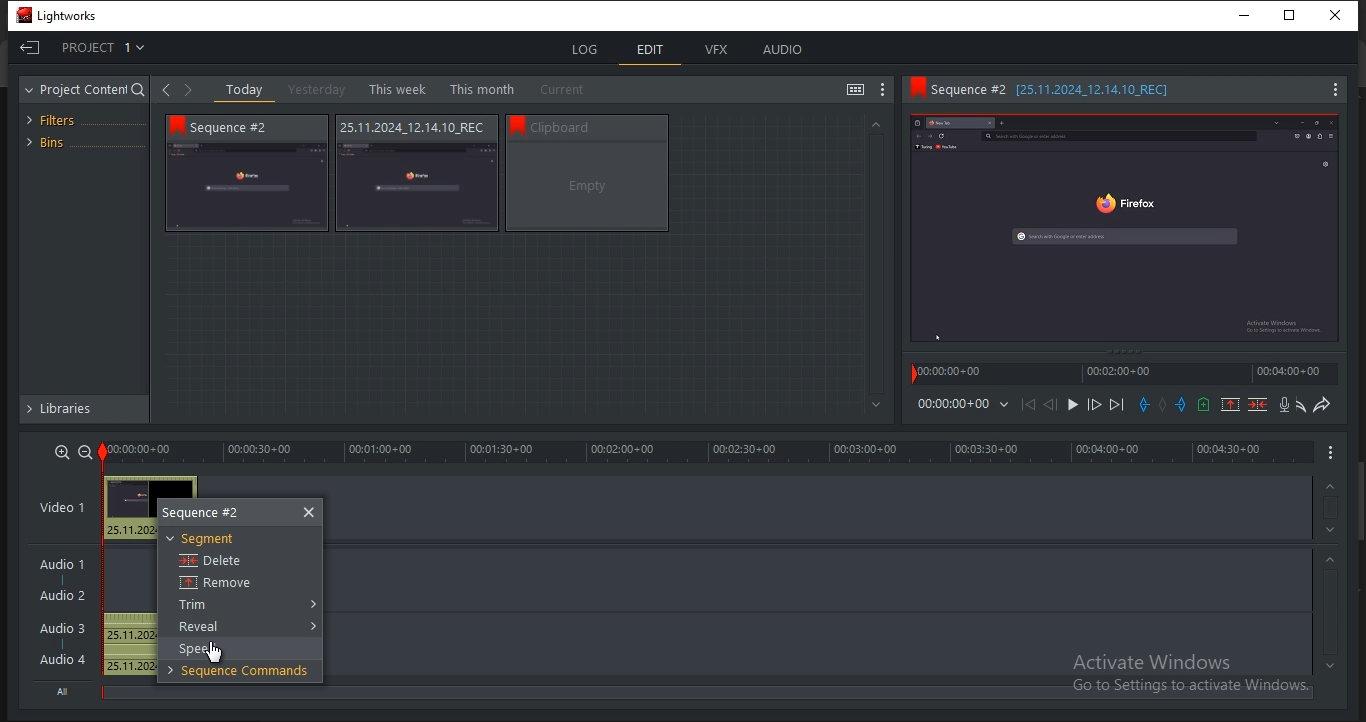 The width and height of the screenshot is (1366, 722). Describe the element at coordinates (1327, 529) in the screenshot. I see `timeline navigation up arrow` at that location.